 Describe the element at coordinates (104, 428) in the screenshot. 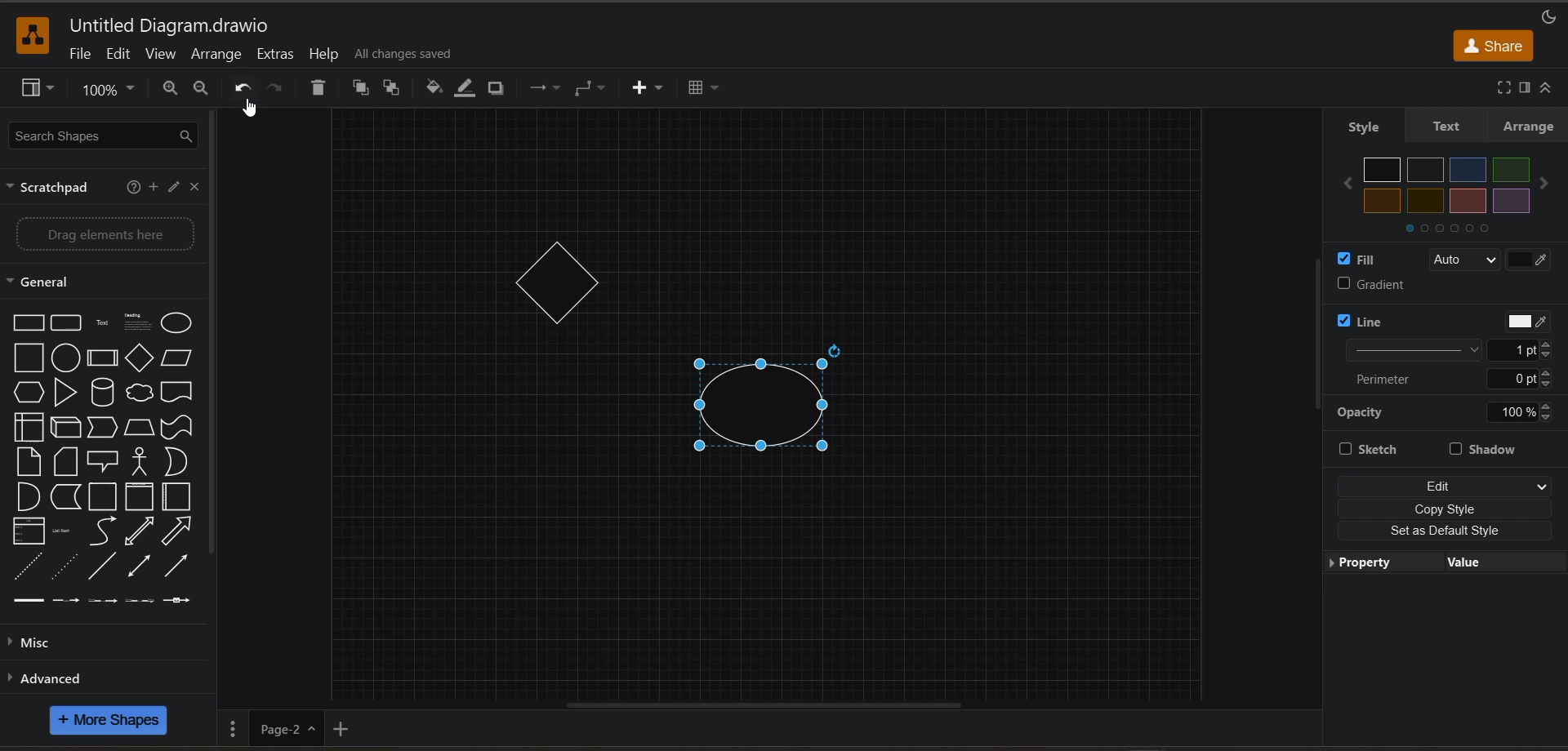

I see `Step` at that location.